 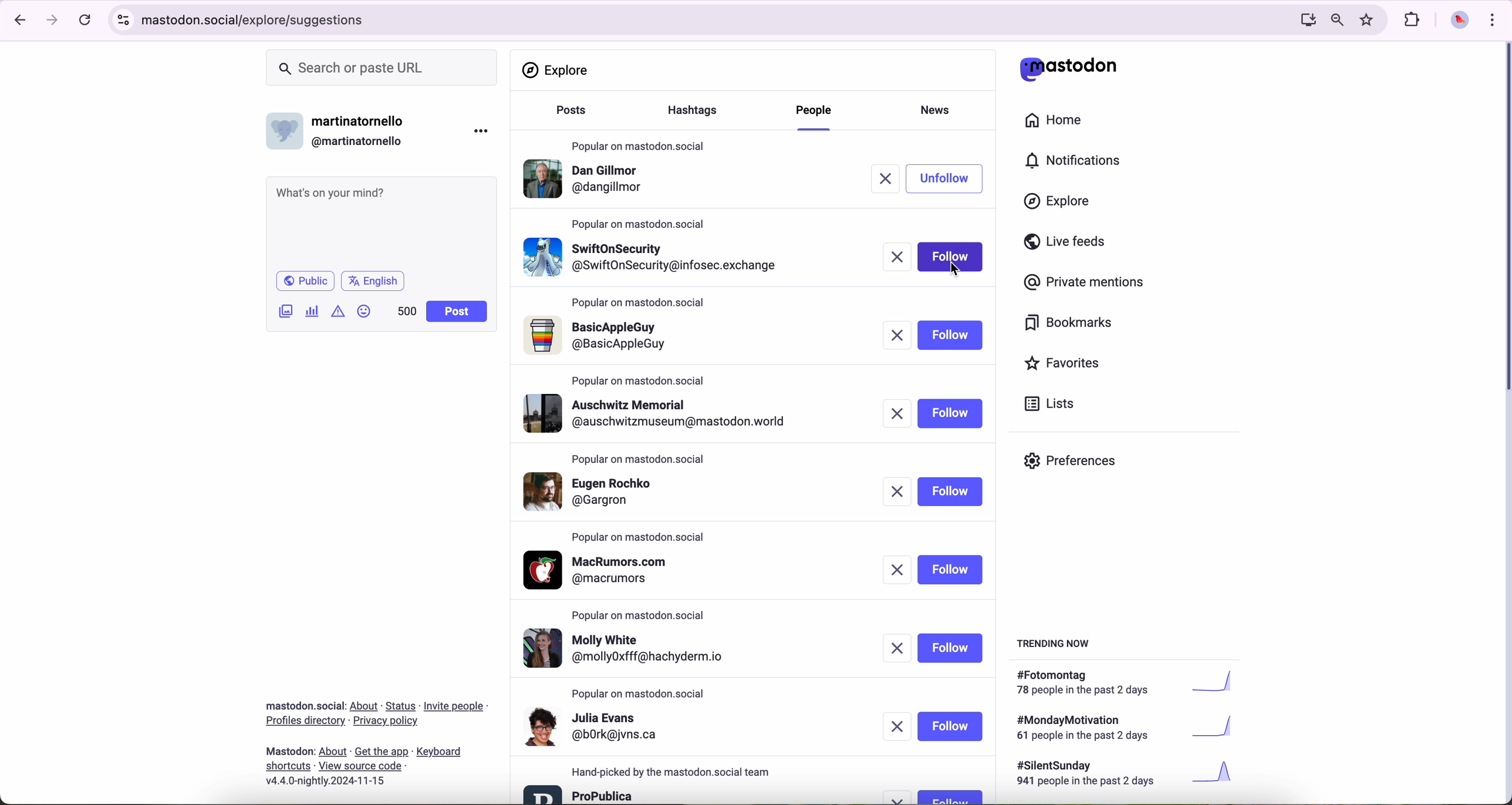 I want to click on follow button, so click(x=951, y=726).